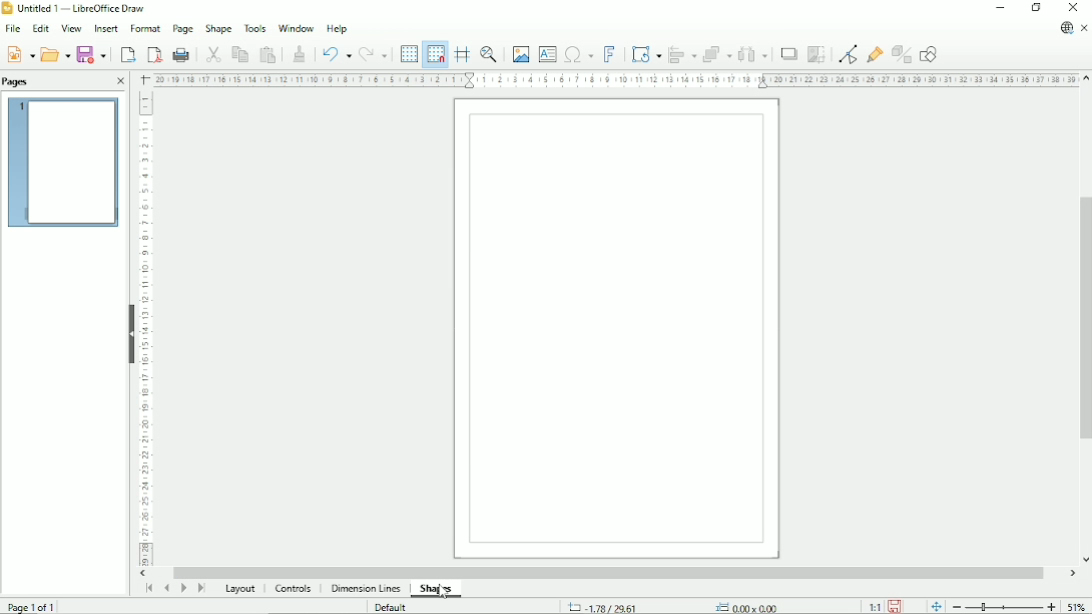  I want to click on 0.00x0.00, so click(745, 606).